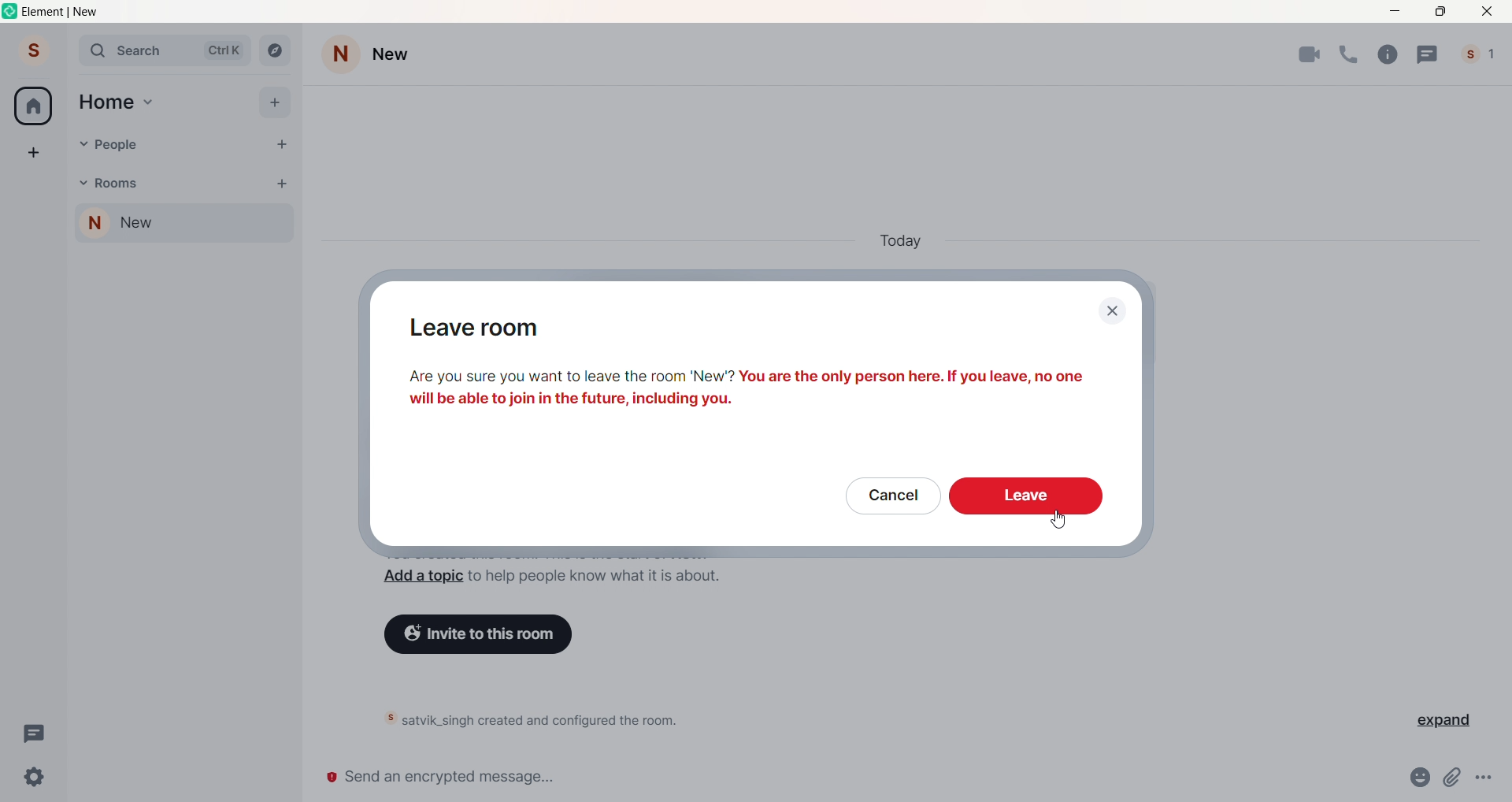 The image size is (1512, 802). What do you see at coordinates (118, 145) in the screenshot?
I see `People` at bounding box center [118, 145].